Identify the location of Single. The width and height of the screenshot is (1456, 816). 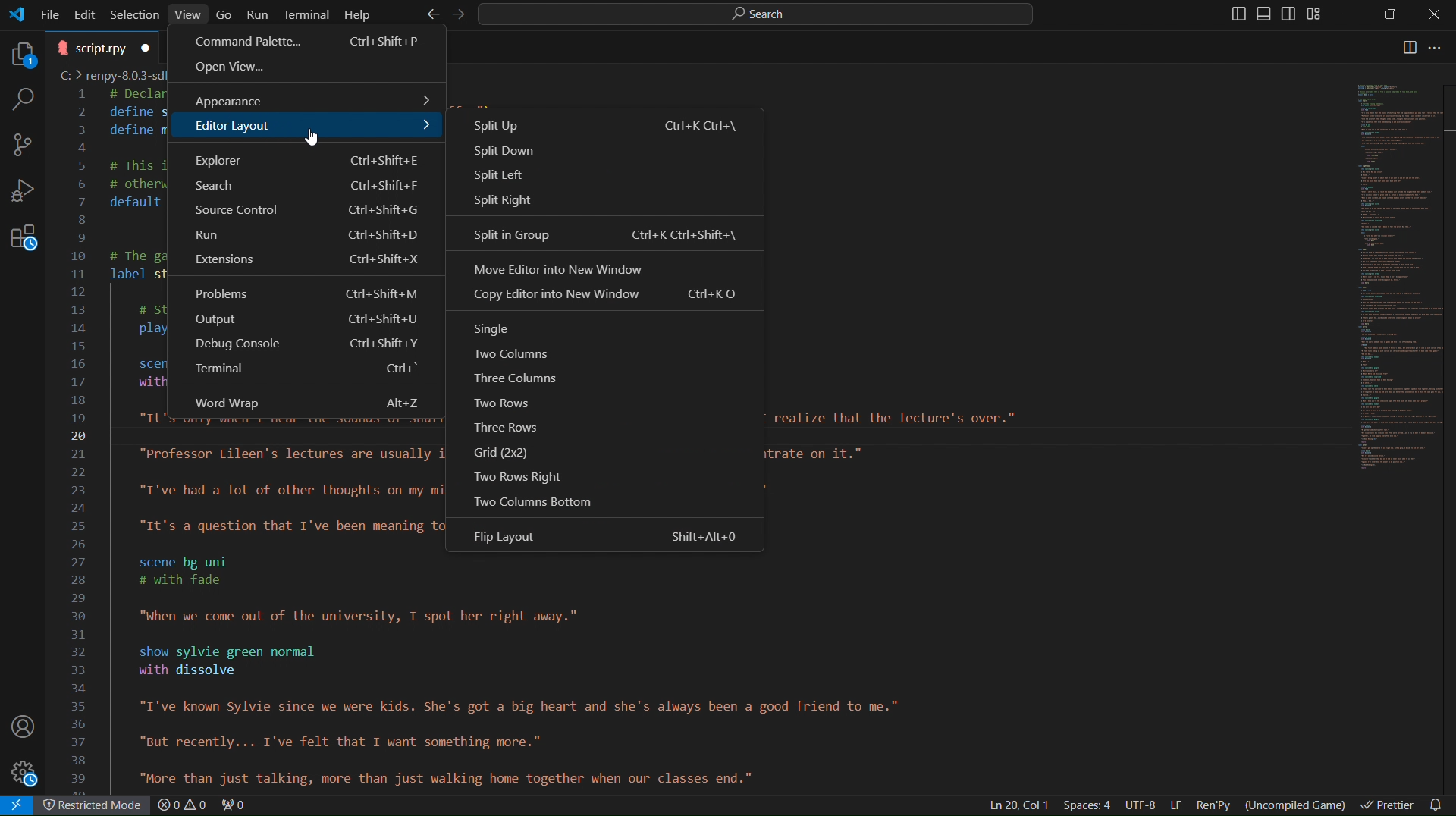
(497, 326).